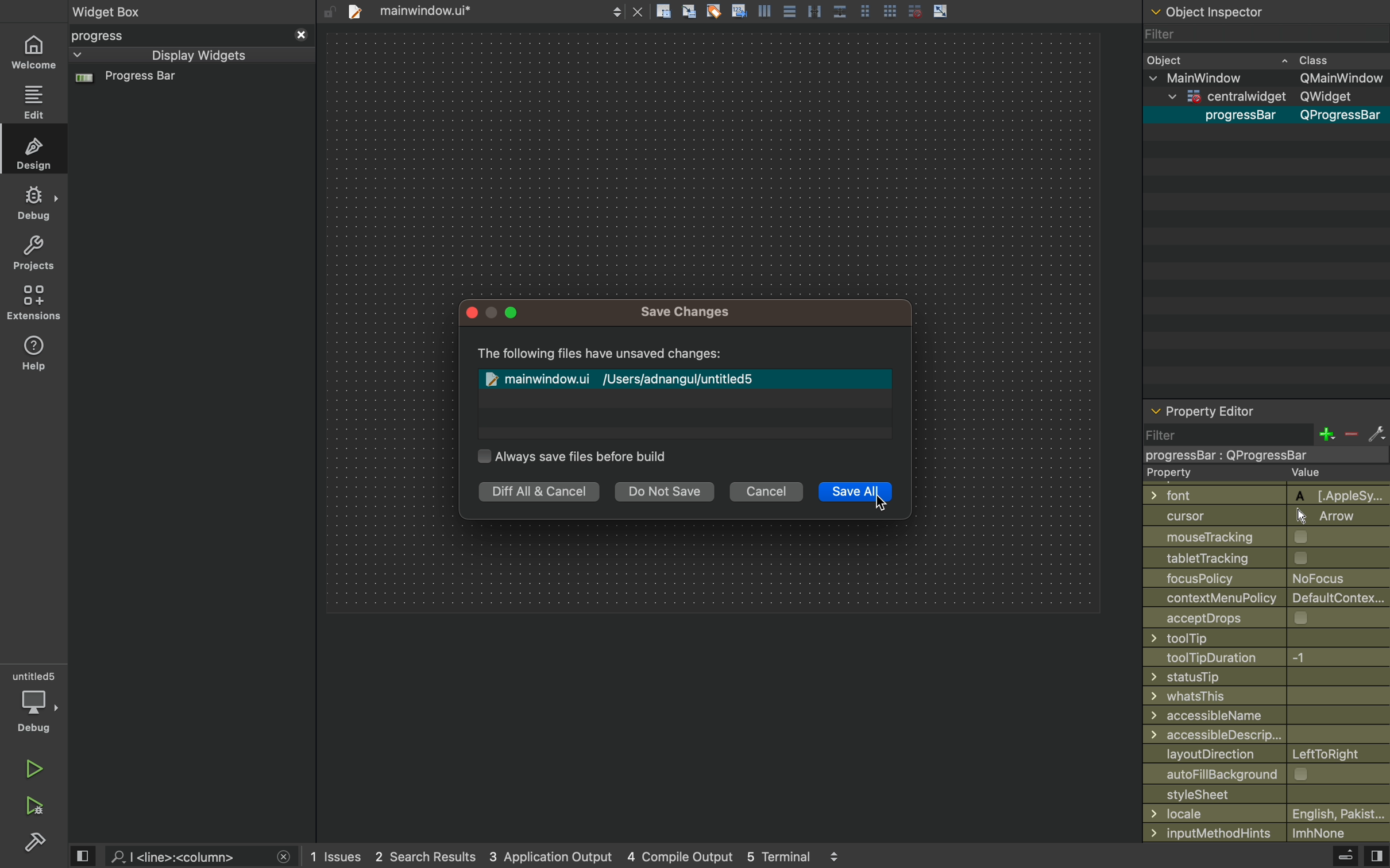 The height and width of the screenshot is (868, 1390). I want to click on logs, so click(582, 857).